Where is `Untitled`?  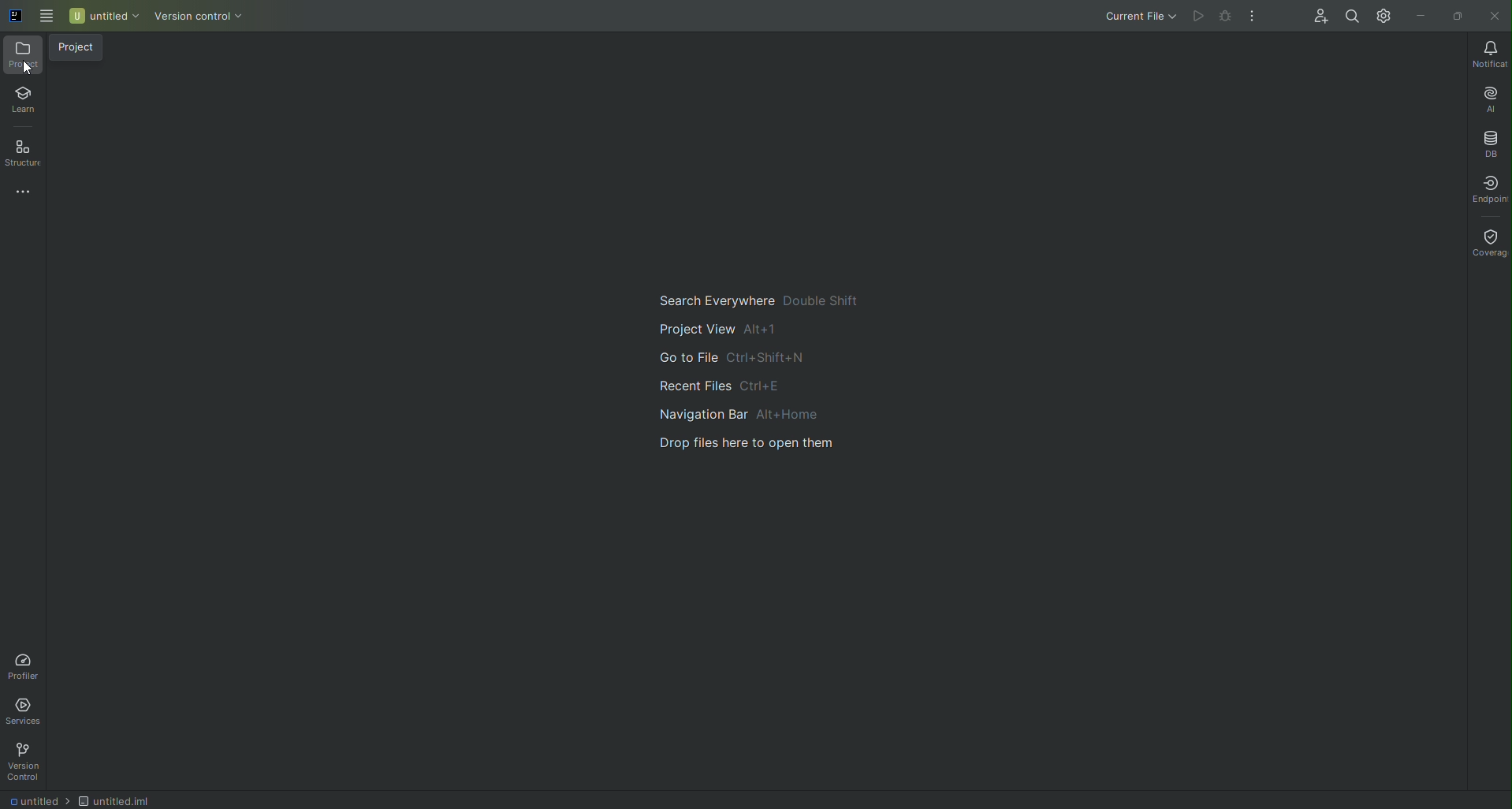 Untitled is located at coordinates (39, 799).